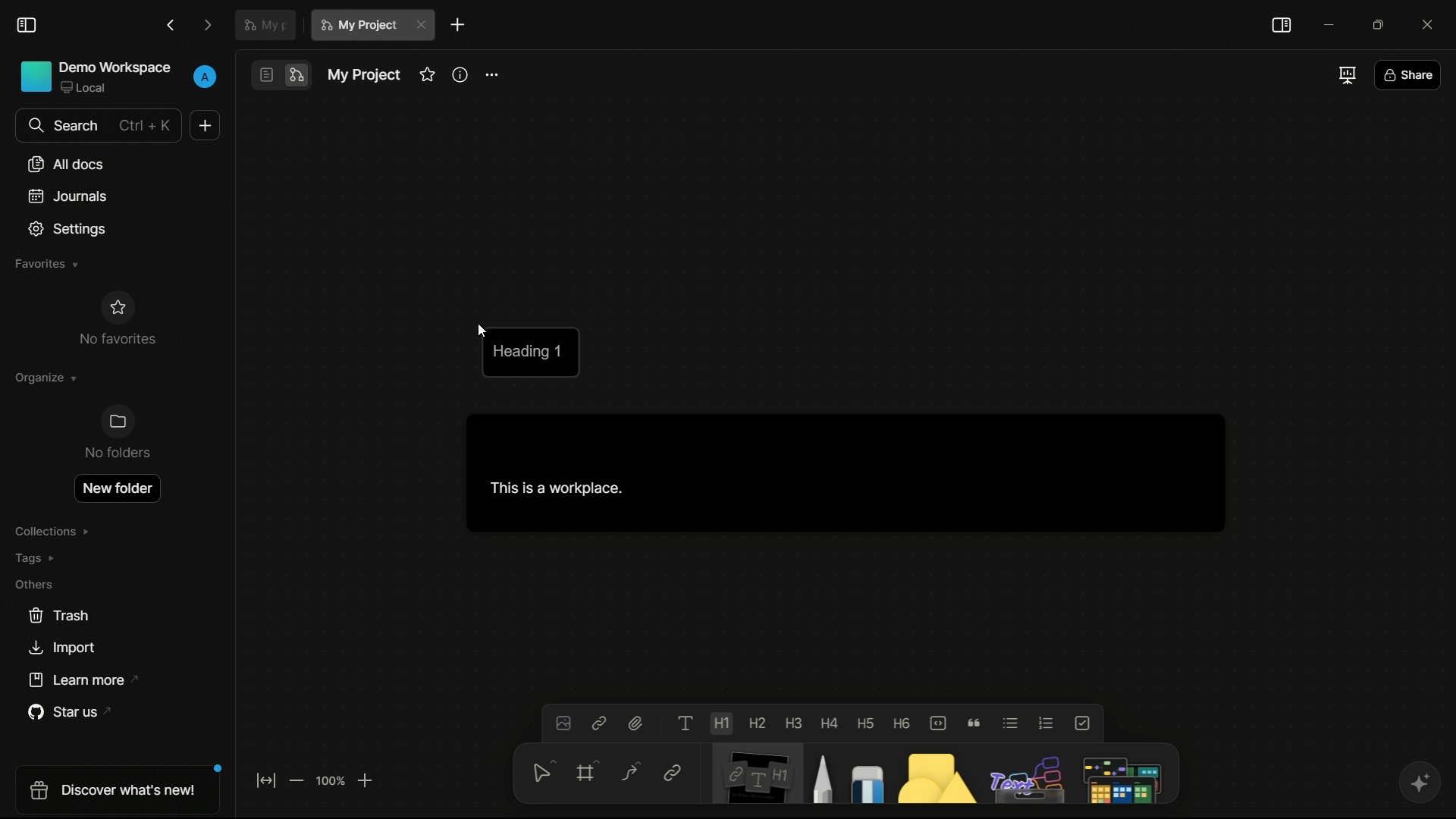 This screenshot has height=819, width=1456. Describe the element at coordinates (755, 723) in the screenshot. I see `heading 2` at that location.